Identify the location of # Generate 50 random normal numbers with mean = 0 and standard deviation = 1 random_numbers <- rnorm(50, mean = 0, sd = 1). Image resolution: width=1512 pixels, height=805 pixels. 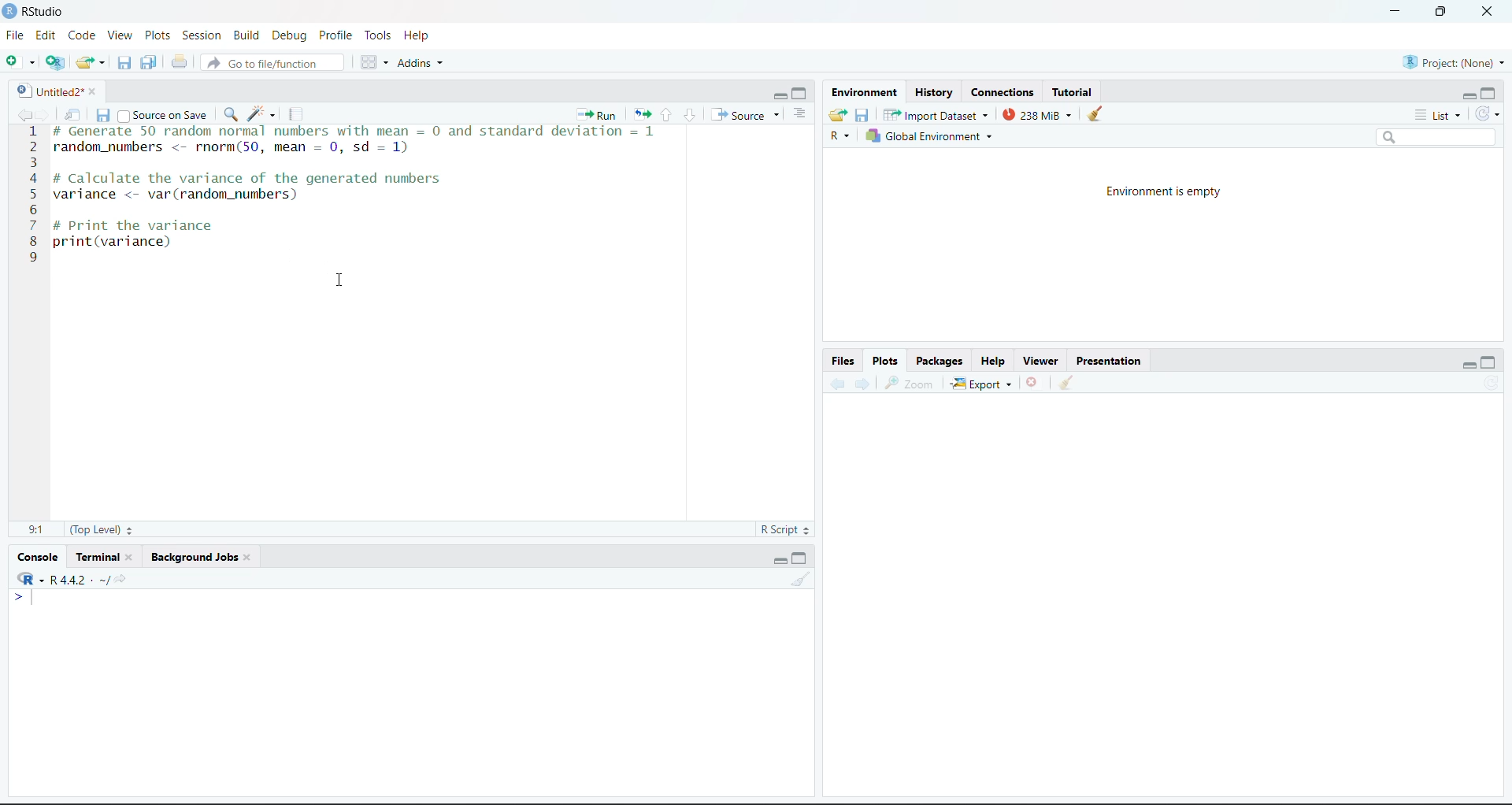
(362, 142).